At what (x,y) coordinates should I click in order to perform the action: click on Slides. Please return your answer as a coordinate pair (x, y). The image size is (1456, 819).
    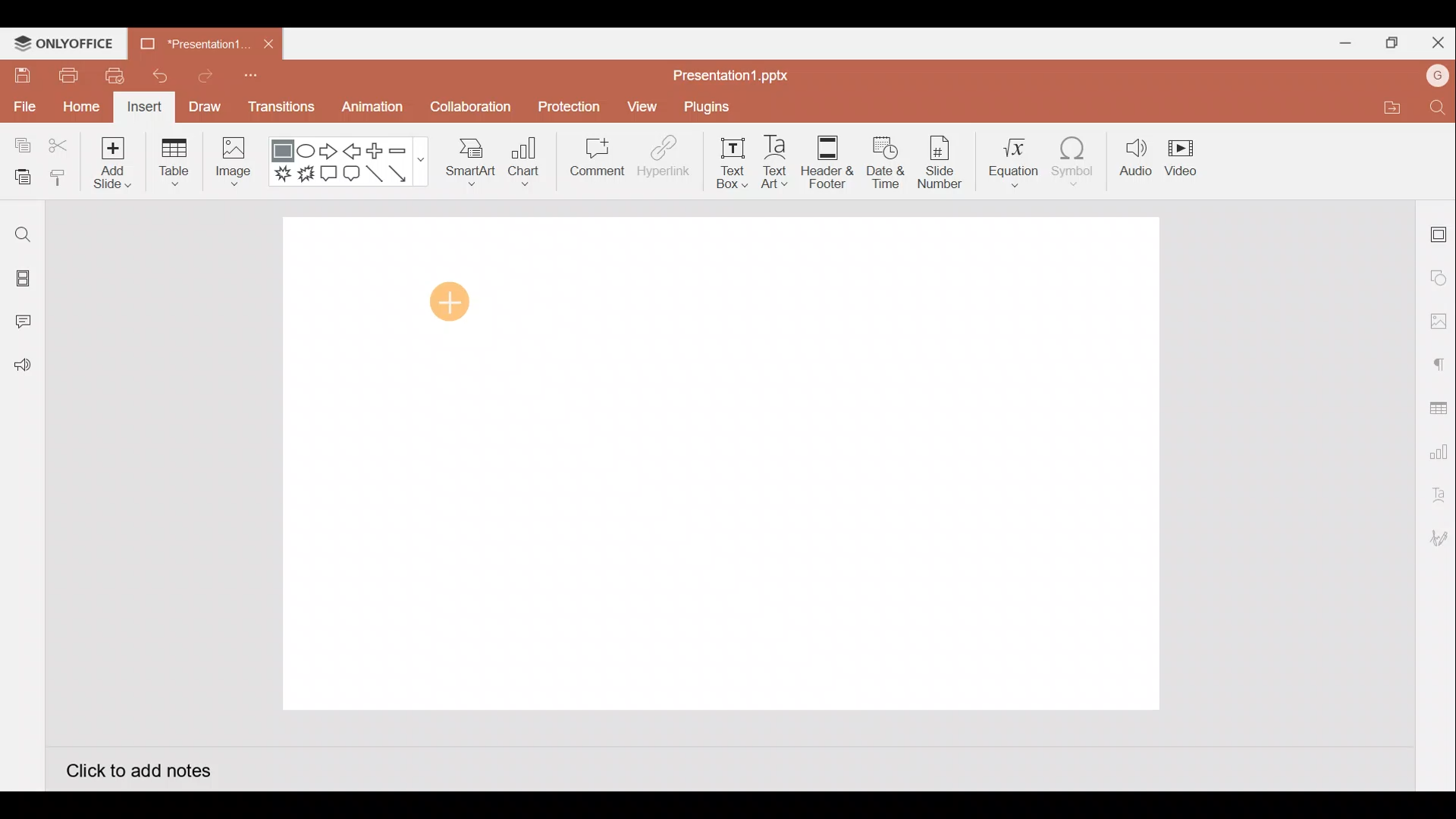
    Looking at the image, I should click on (21, 281).